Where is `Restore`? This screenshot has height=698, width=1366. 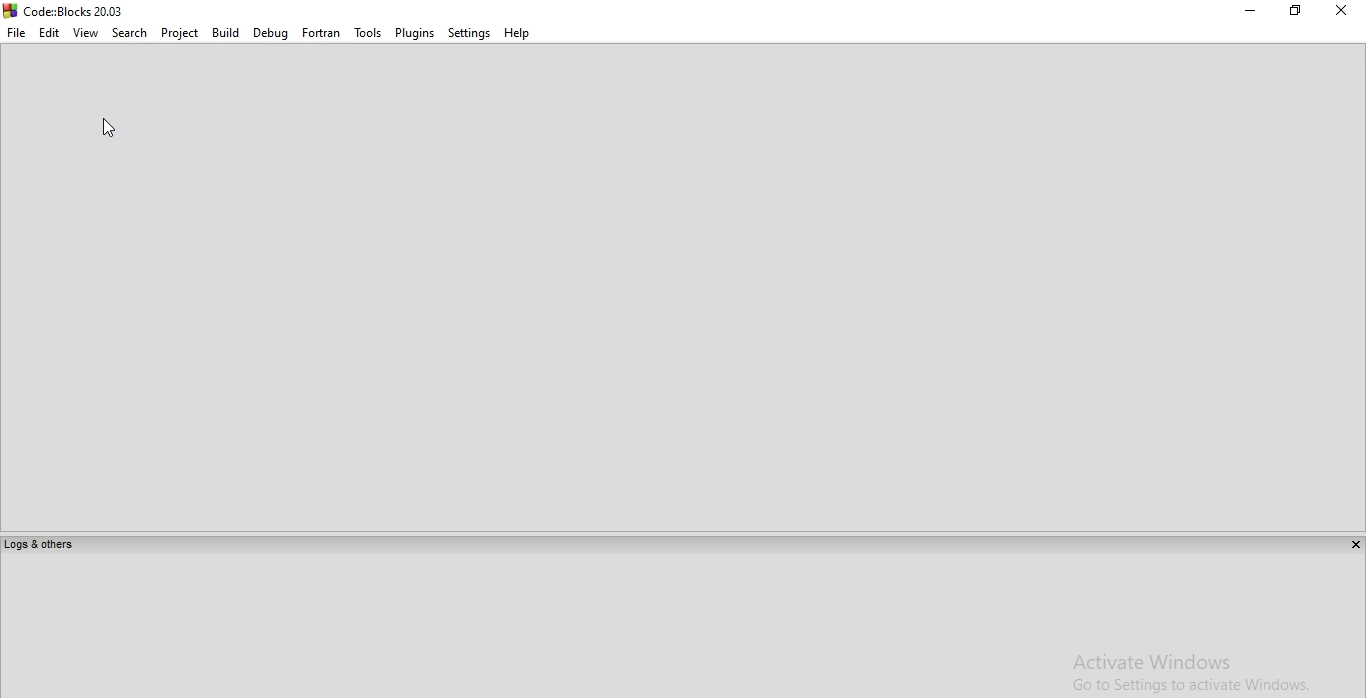
Restore is located at coordinates (1294, 11).